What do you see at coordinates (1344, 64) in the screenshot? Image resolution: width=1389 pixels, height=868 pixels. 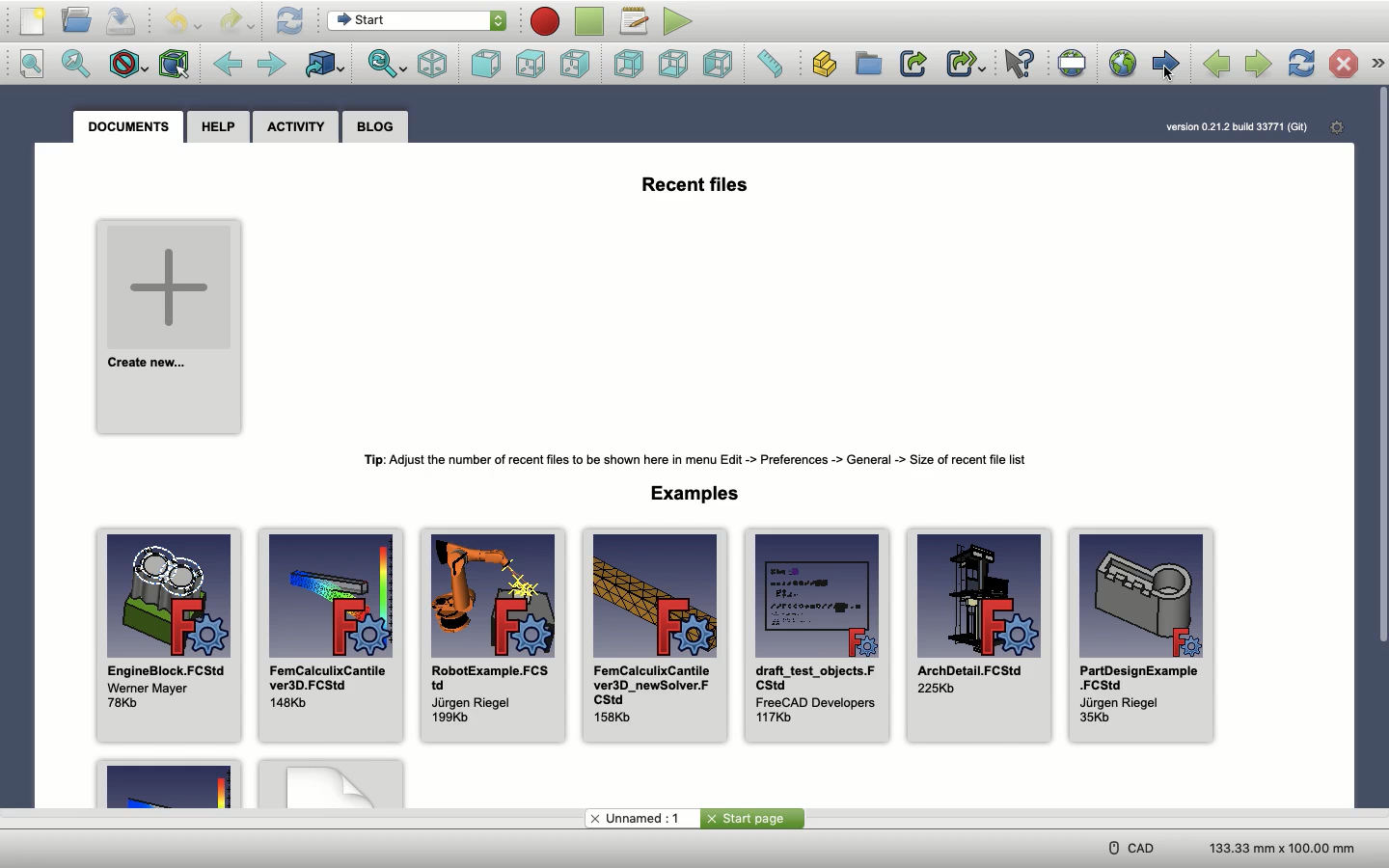 I see `Stop loading` at bounding box center [1344, 64].